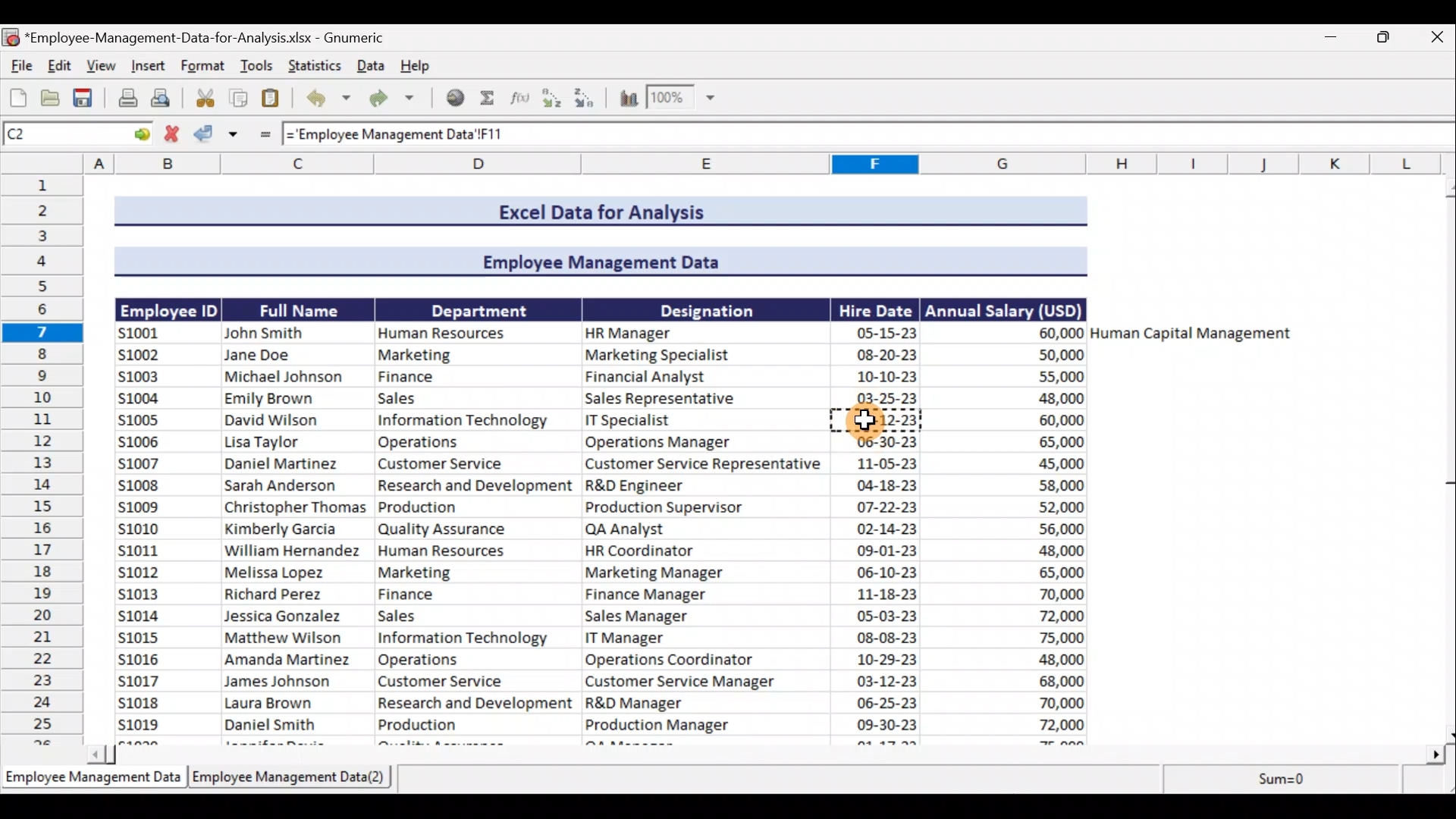  I want to click on Create a new workbook, so click(17, 98).